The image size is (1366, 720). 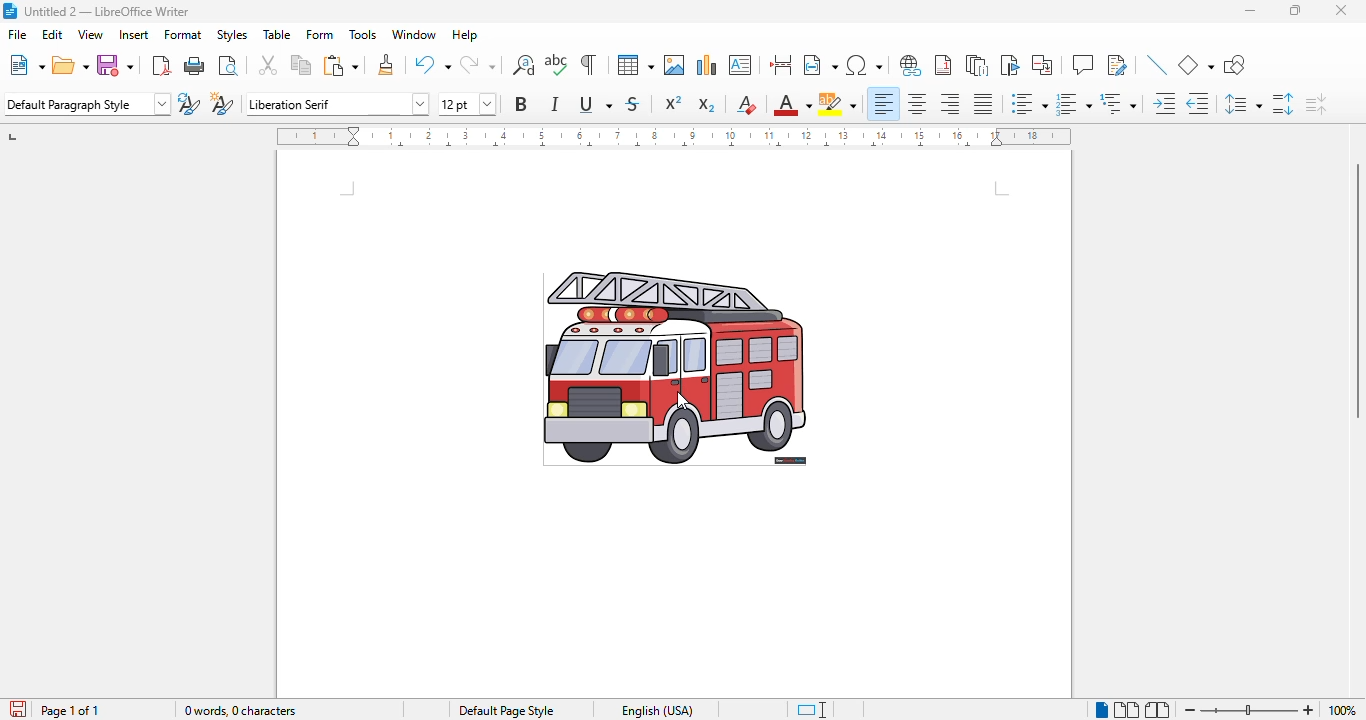 What do you see at coordinates (363, 35) in the screenshot?
I see `tools` at bounding box center [363, 35].